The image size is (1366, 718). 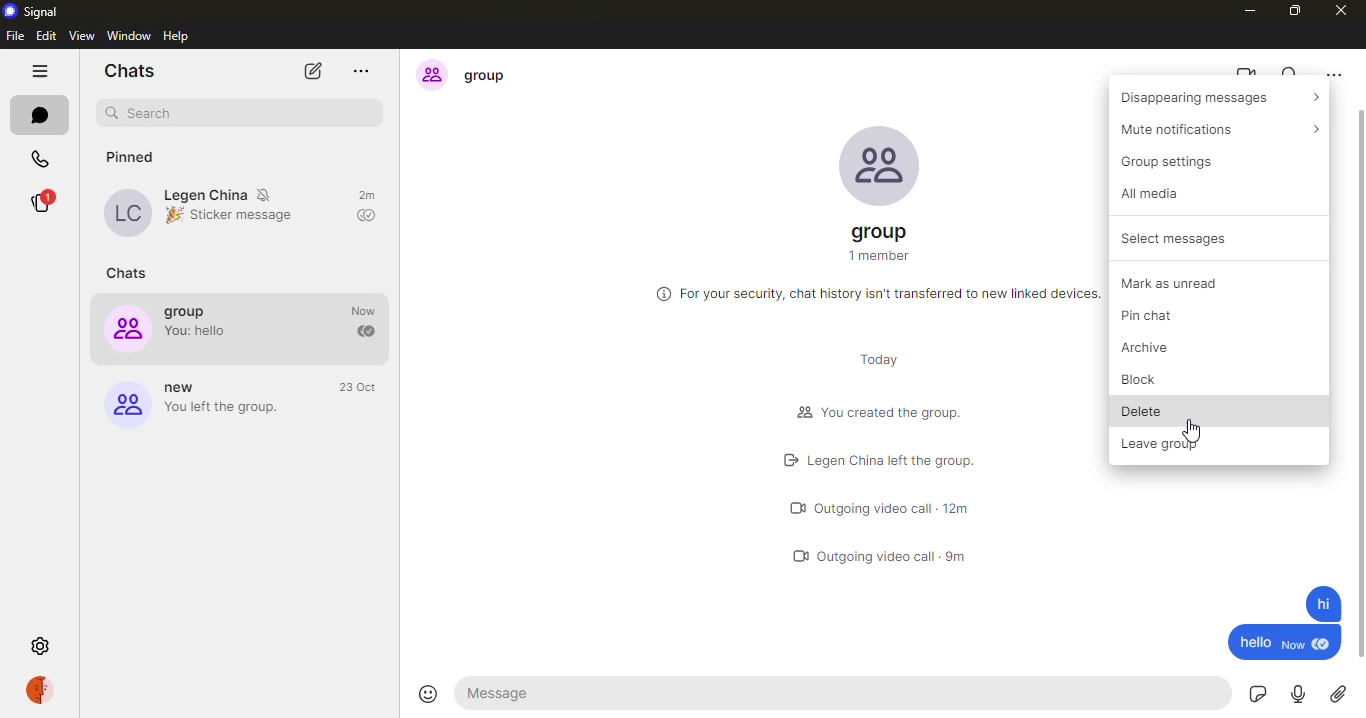 I want to click on new chat, so click(x=311, y=72).